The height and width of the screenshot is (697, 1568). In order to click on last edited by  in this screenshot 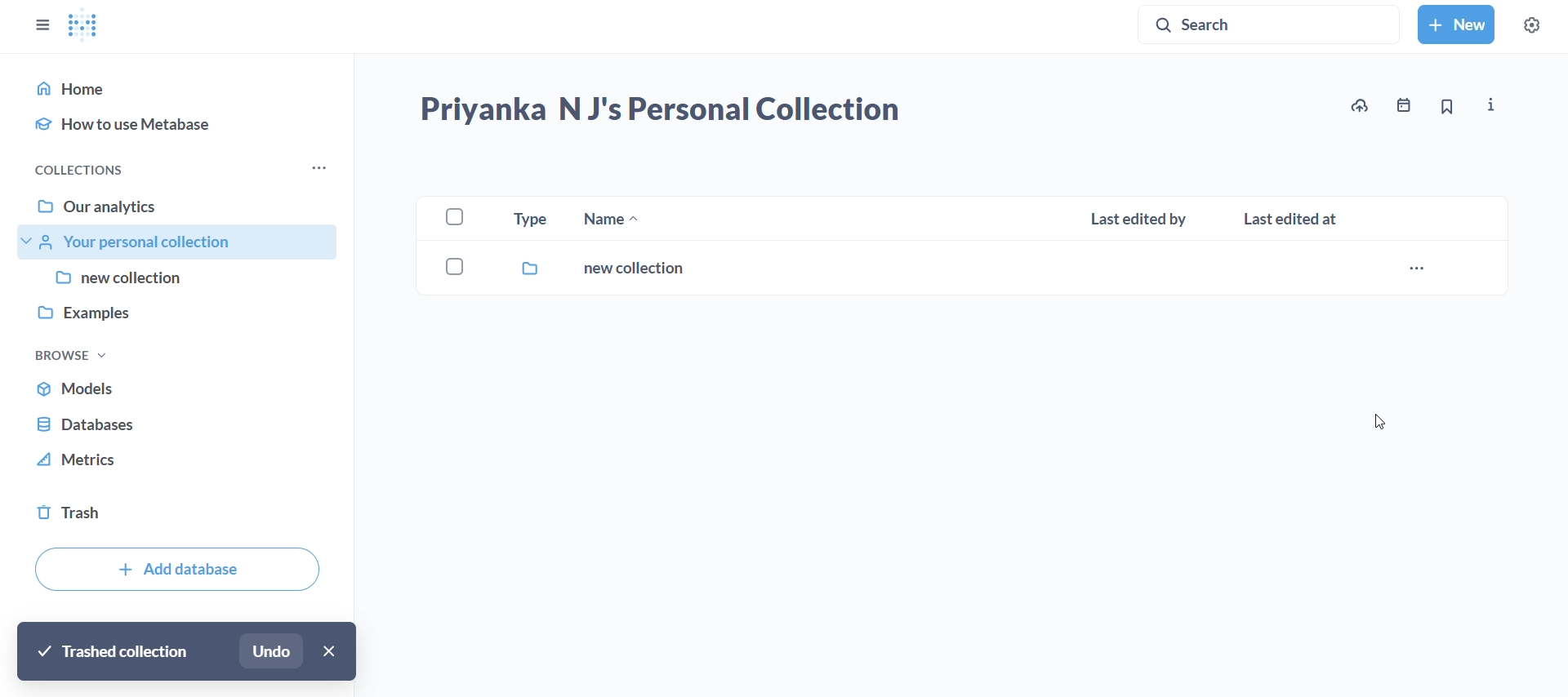, I will do `click(1144, 219)`.